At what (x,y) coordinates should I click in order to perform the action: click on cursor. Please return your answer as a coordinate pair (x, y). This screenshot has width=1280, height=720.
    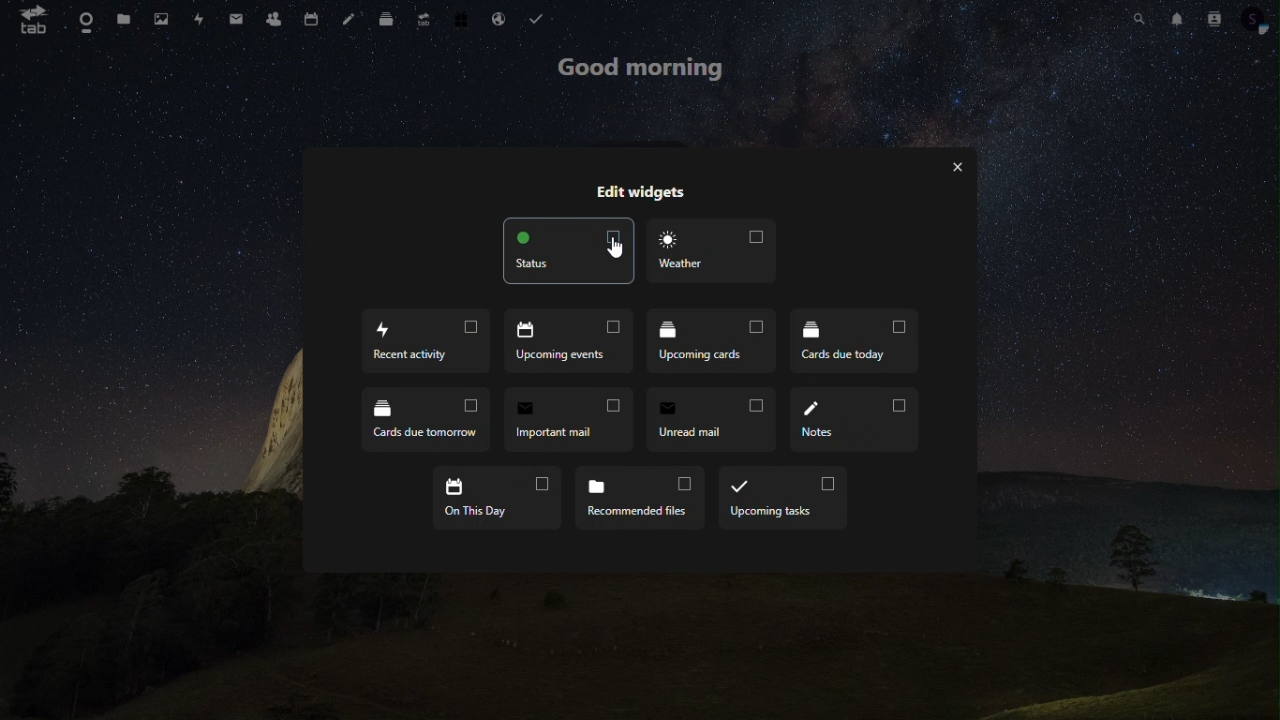
    Looking at the image, I should click on (614, 246).